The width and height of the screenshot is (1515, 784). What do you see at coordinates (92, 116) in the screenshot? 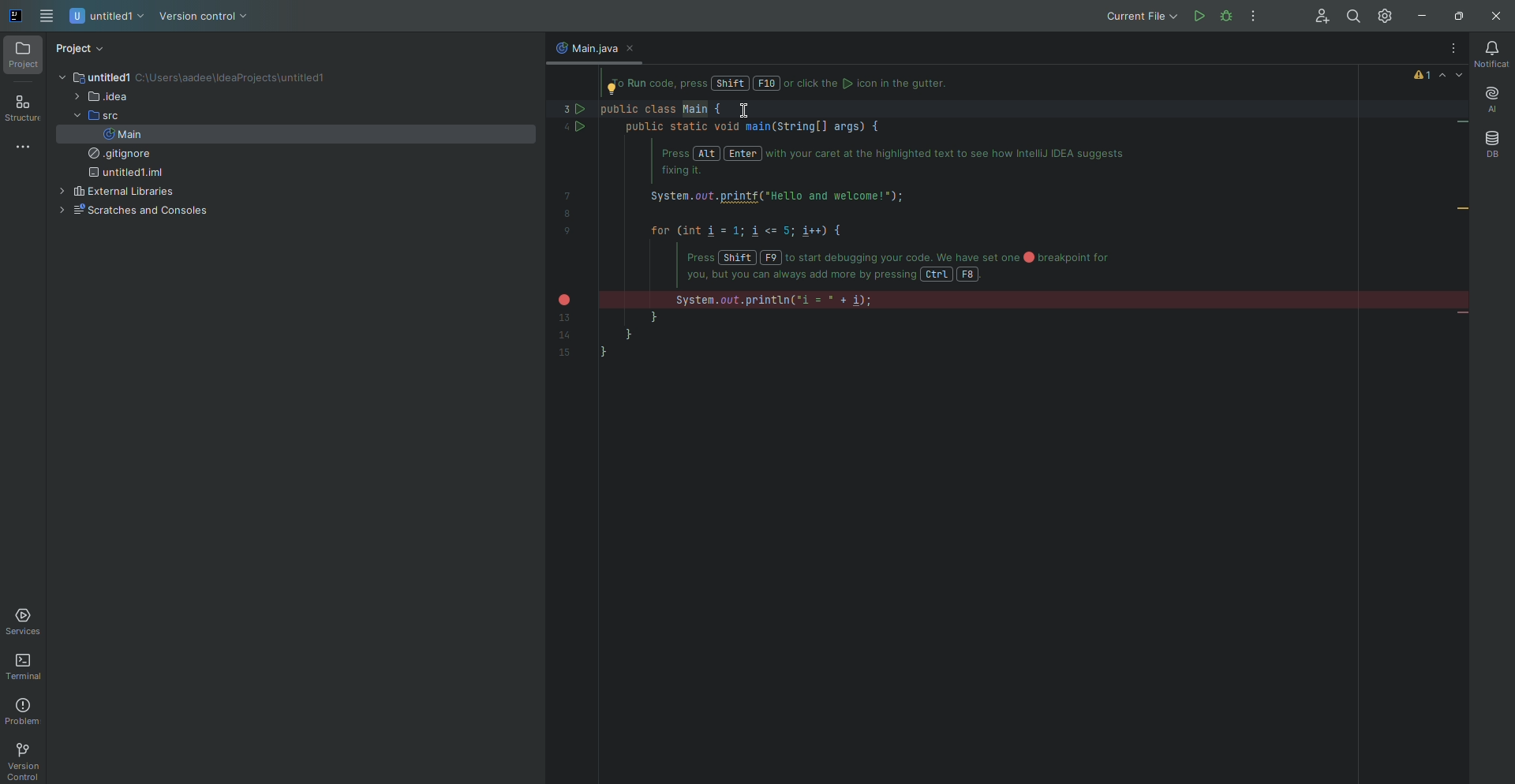
I see `src` at bounding box center [92, 116].